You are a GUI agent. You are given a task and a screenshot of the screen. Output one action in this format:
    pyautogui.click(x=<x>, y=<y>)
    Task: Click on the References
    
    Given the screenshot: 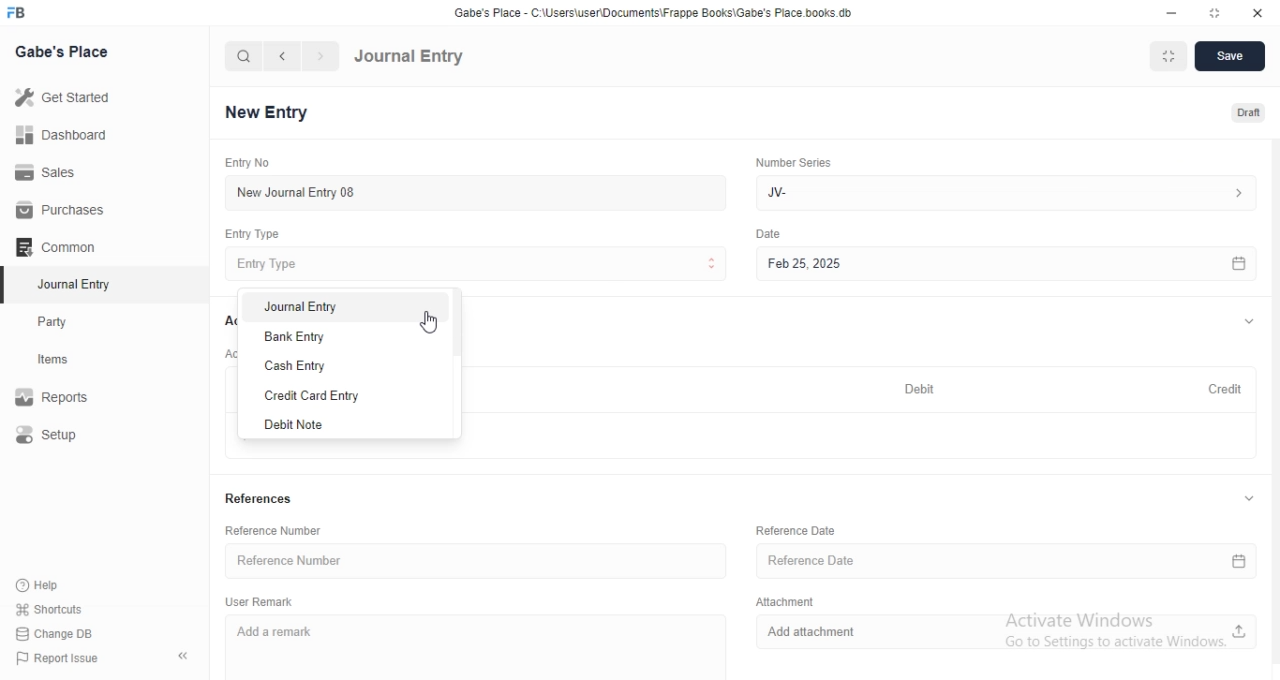 What is the action you would take?
    pyautogui.click(x=259, y=498)
    